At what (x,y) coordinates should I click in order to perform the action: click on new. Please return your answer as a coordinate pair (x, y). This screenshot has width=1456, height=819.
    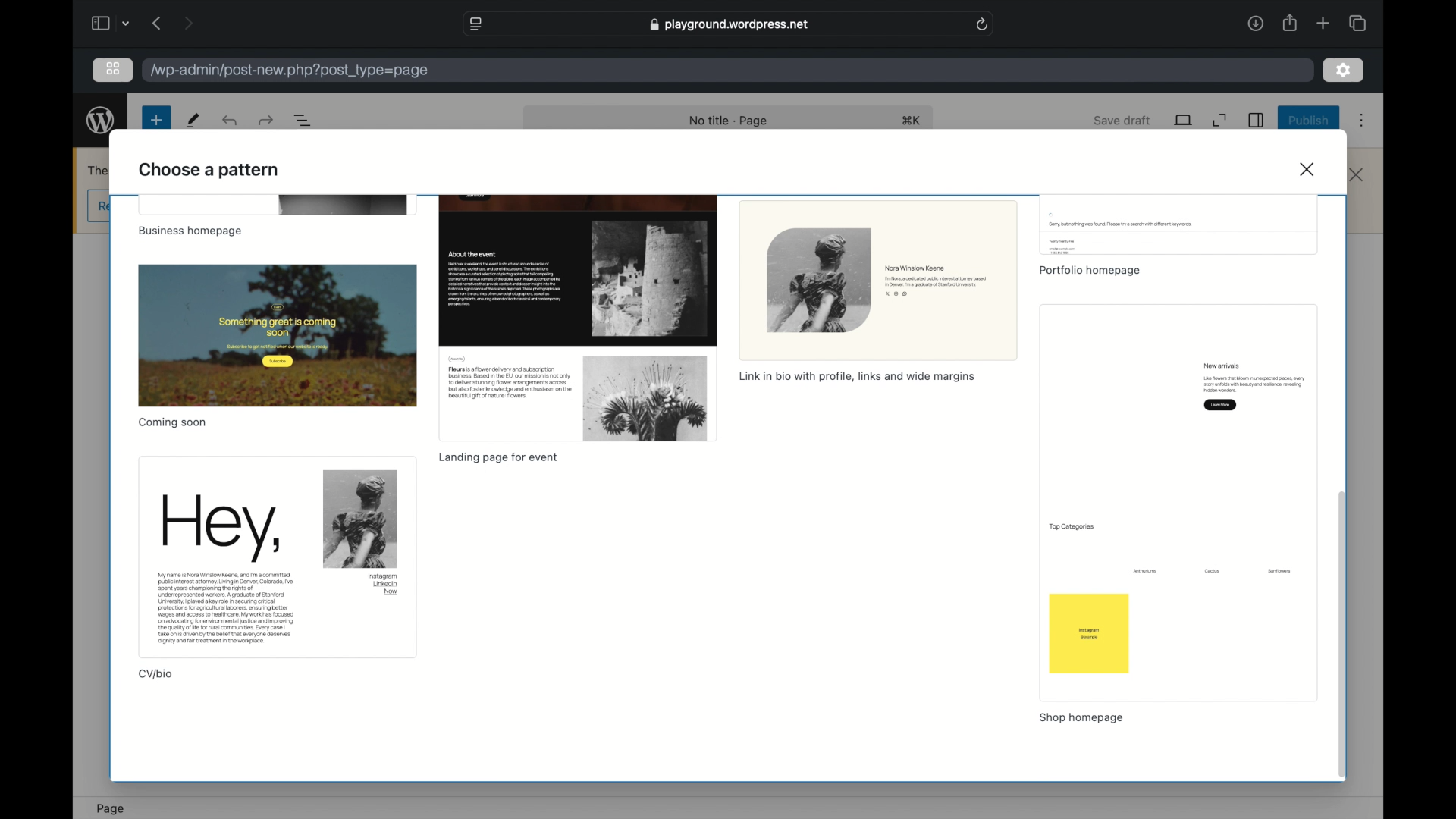
    Looking at the image, I should click on (155, 121).